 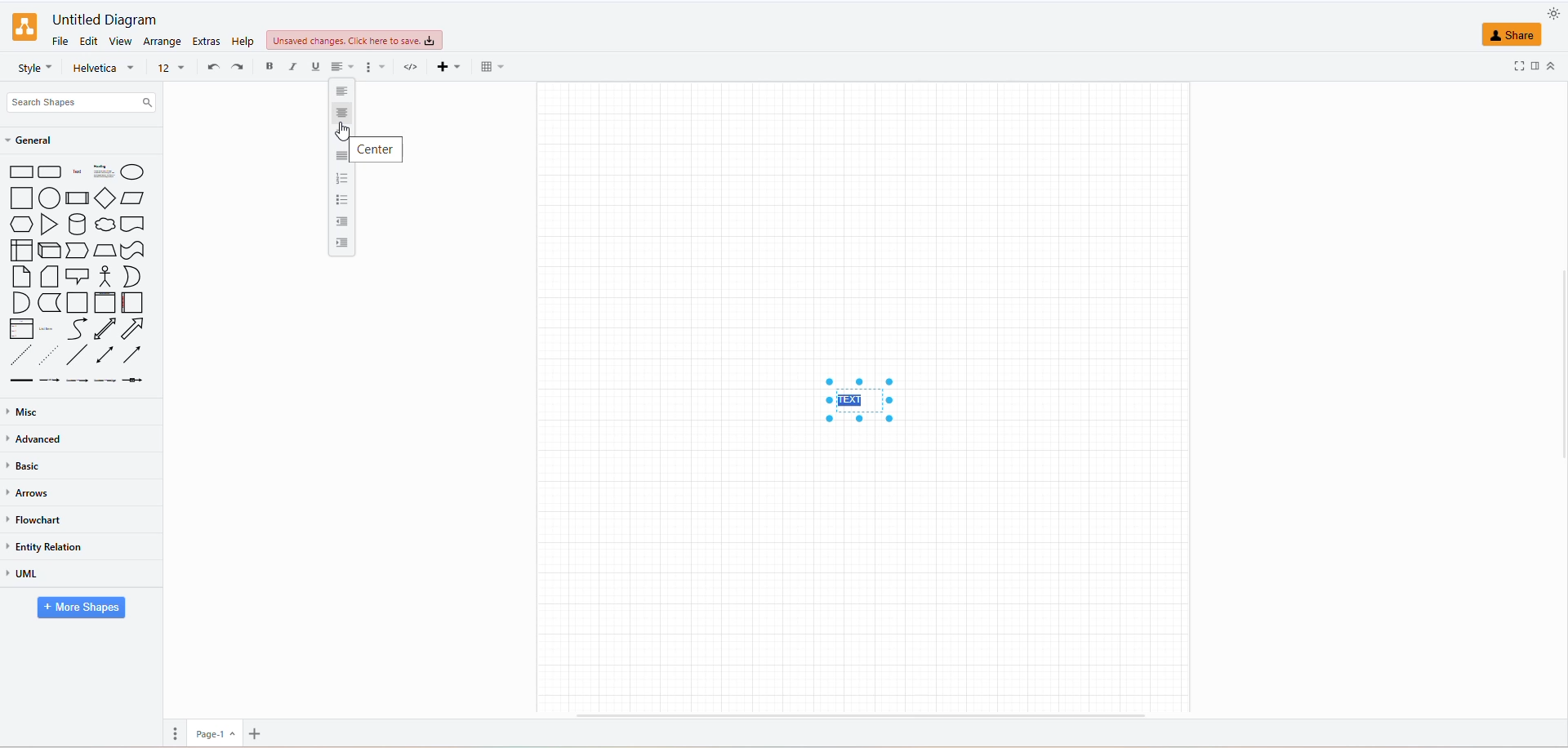 I want to click on edit, so click(x=90, y=42).